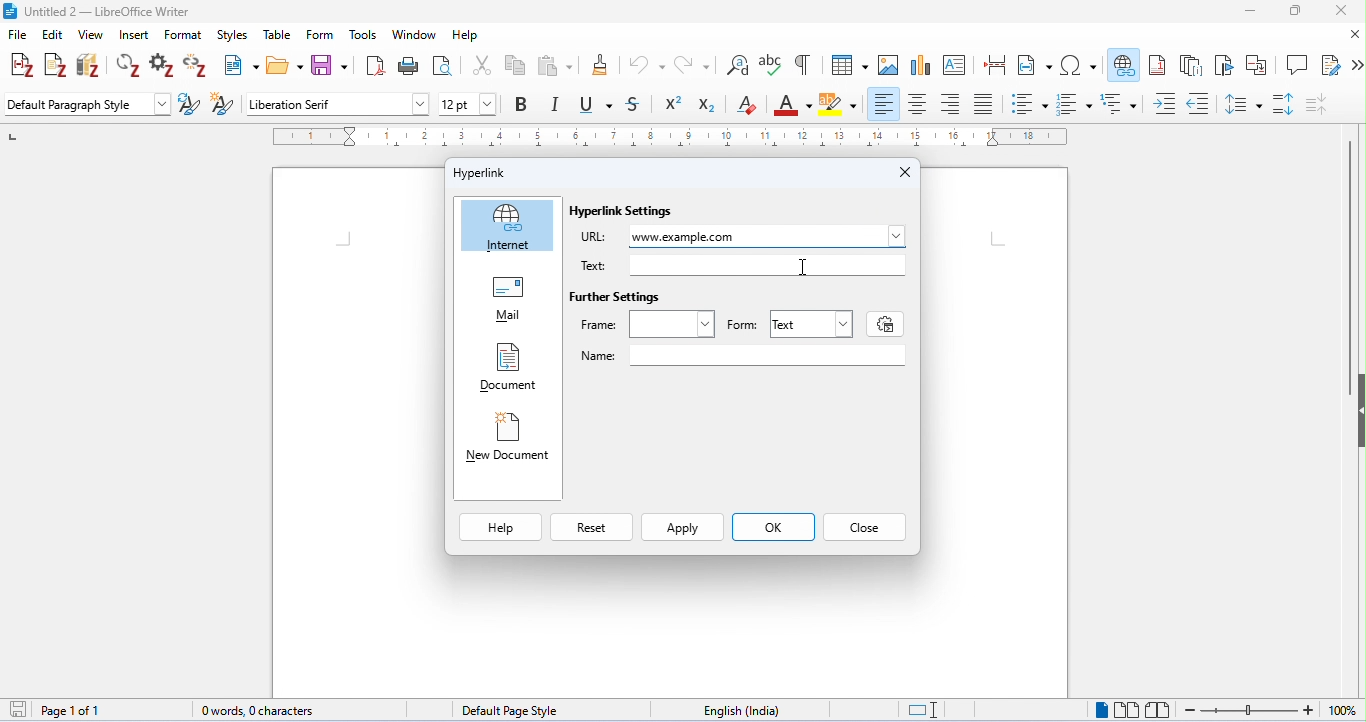  What do you see at coordinates (803, 64) in the screenshot?
I see `toggle formatting marks` at bounding box center [803, 64].